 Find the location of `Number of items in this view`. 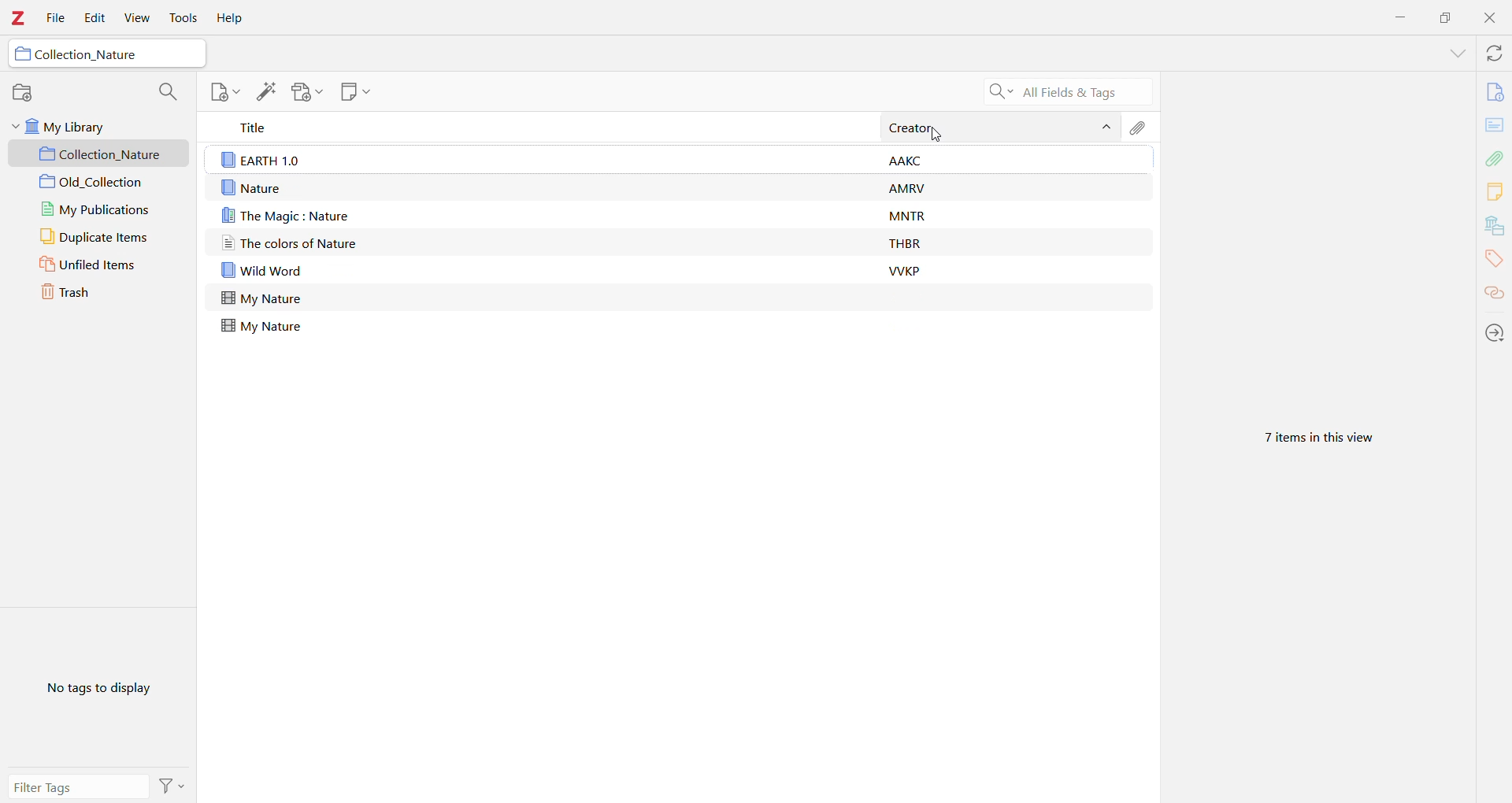

Number of items in this view is located at coordinates (1313, 439).